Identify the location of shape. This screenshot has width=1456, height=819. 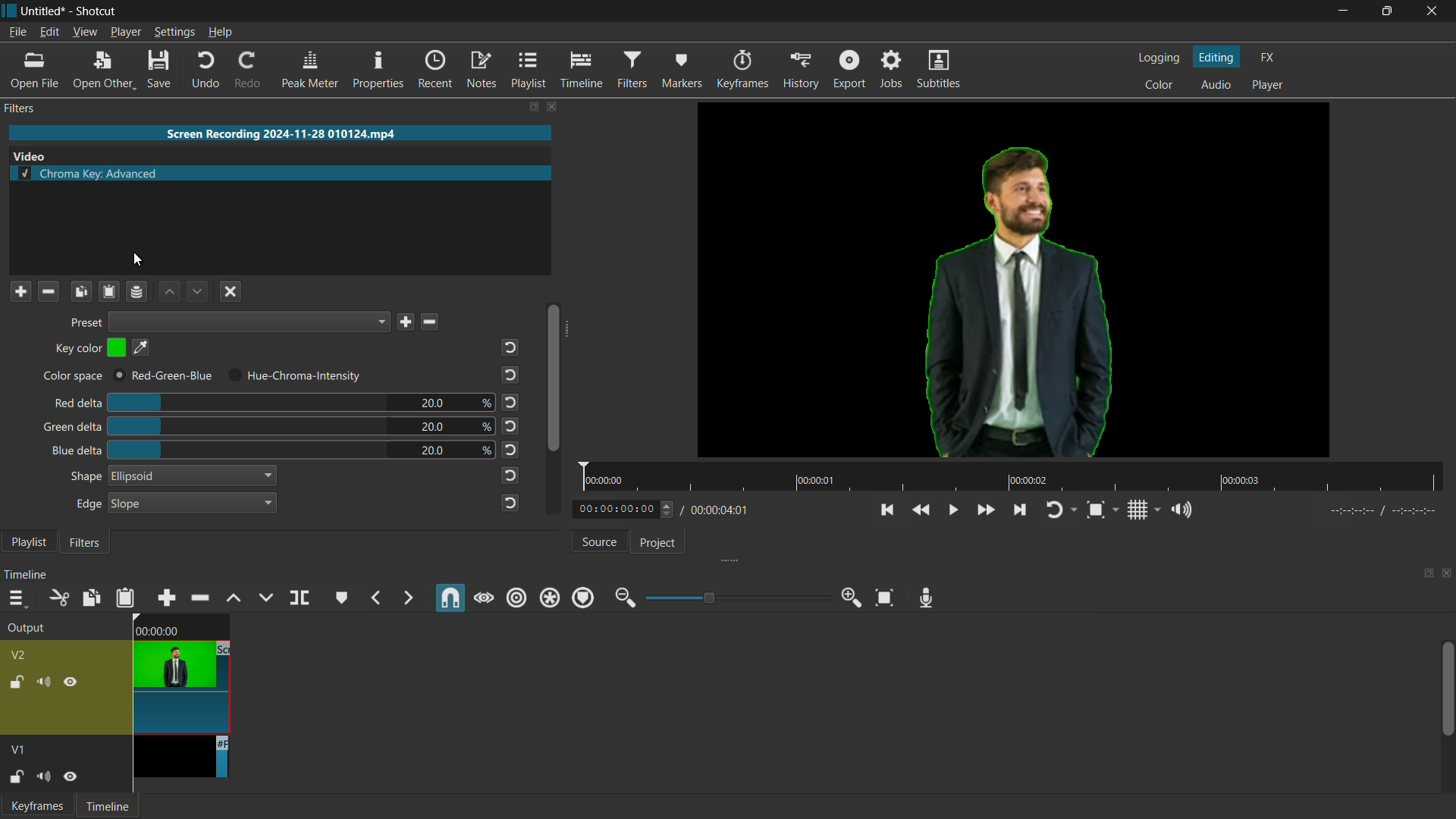
(84, 476).